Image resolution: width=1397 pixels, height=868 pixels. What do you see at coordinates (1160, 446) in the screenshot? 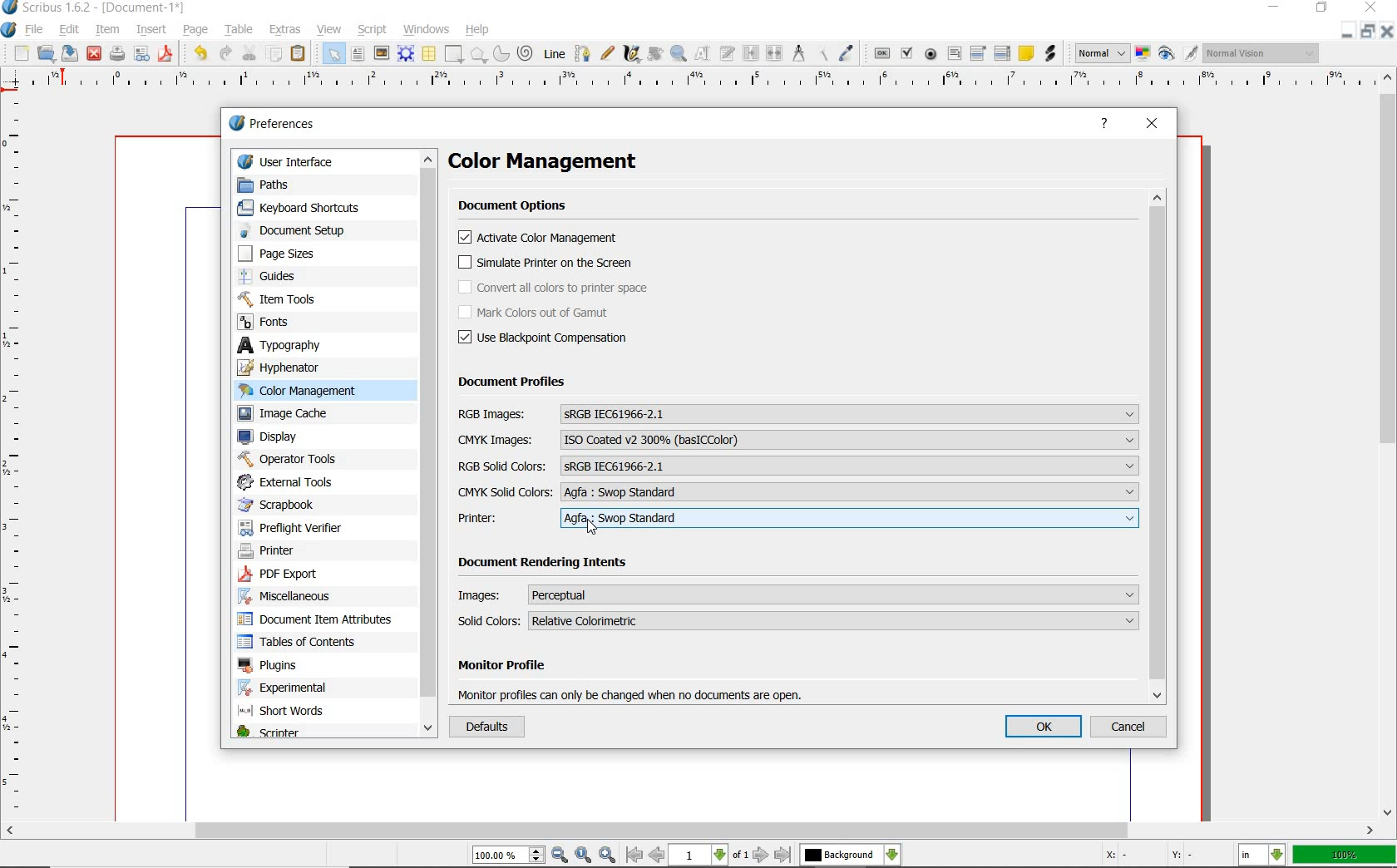
I see `scrollbar` at bounding box center [1160, 446].